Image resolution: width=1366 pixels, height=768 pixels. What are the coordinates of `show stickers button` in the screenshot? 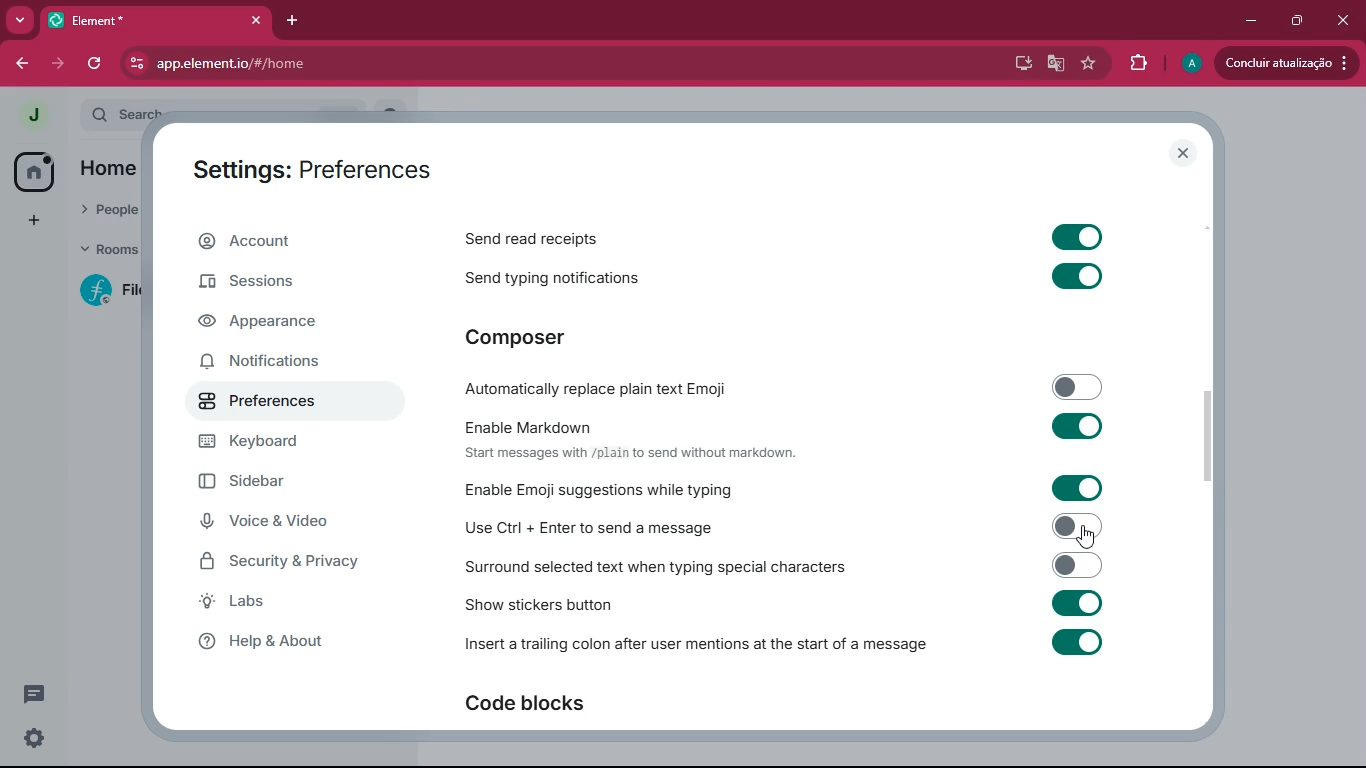 It's located at (539, 605).